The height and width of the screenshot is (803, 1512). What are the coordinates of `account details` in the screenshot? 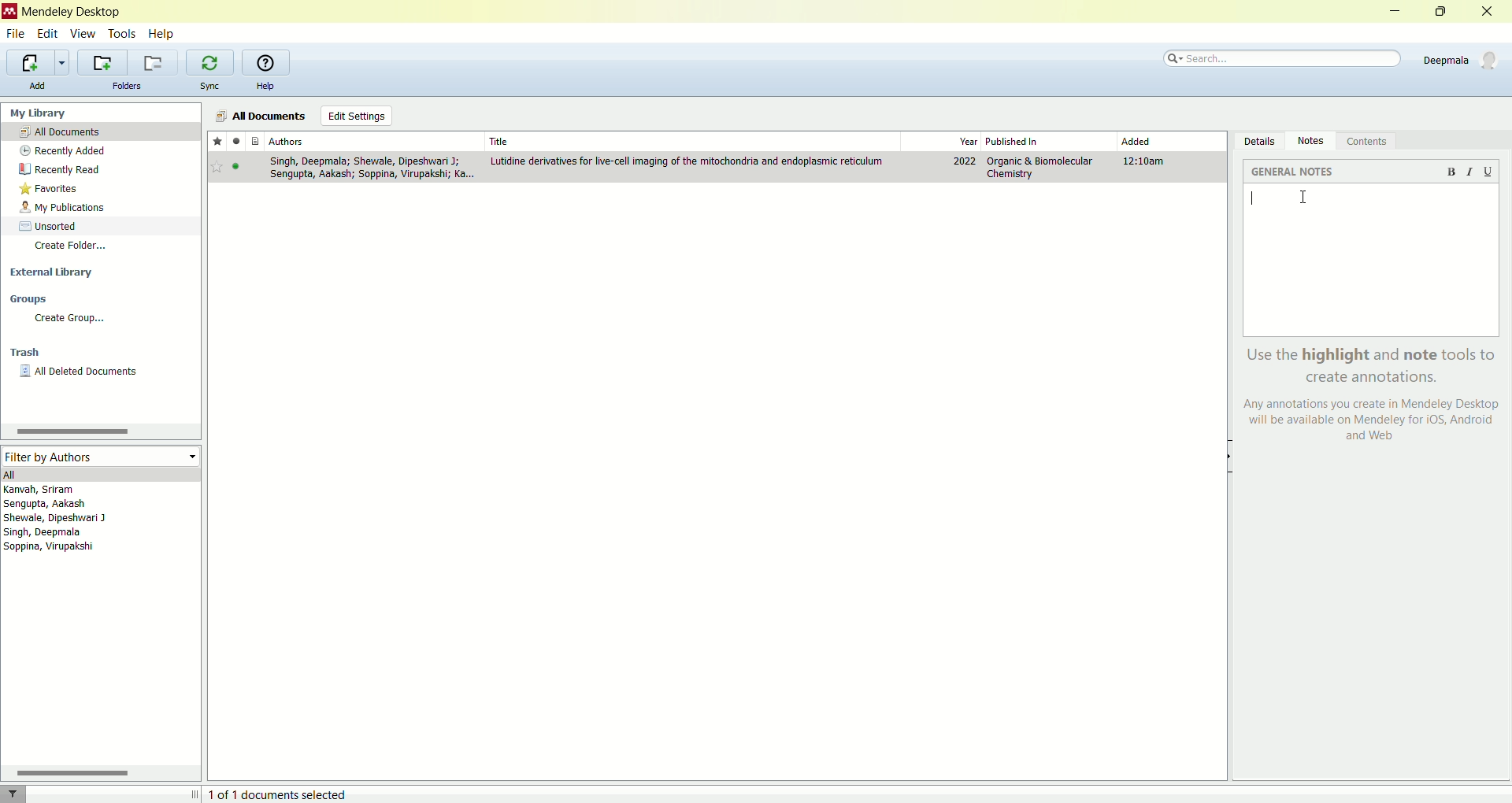 It's located at (1459, 58).